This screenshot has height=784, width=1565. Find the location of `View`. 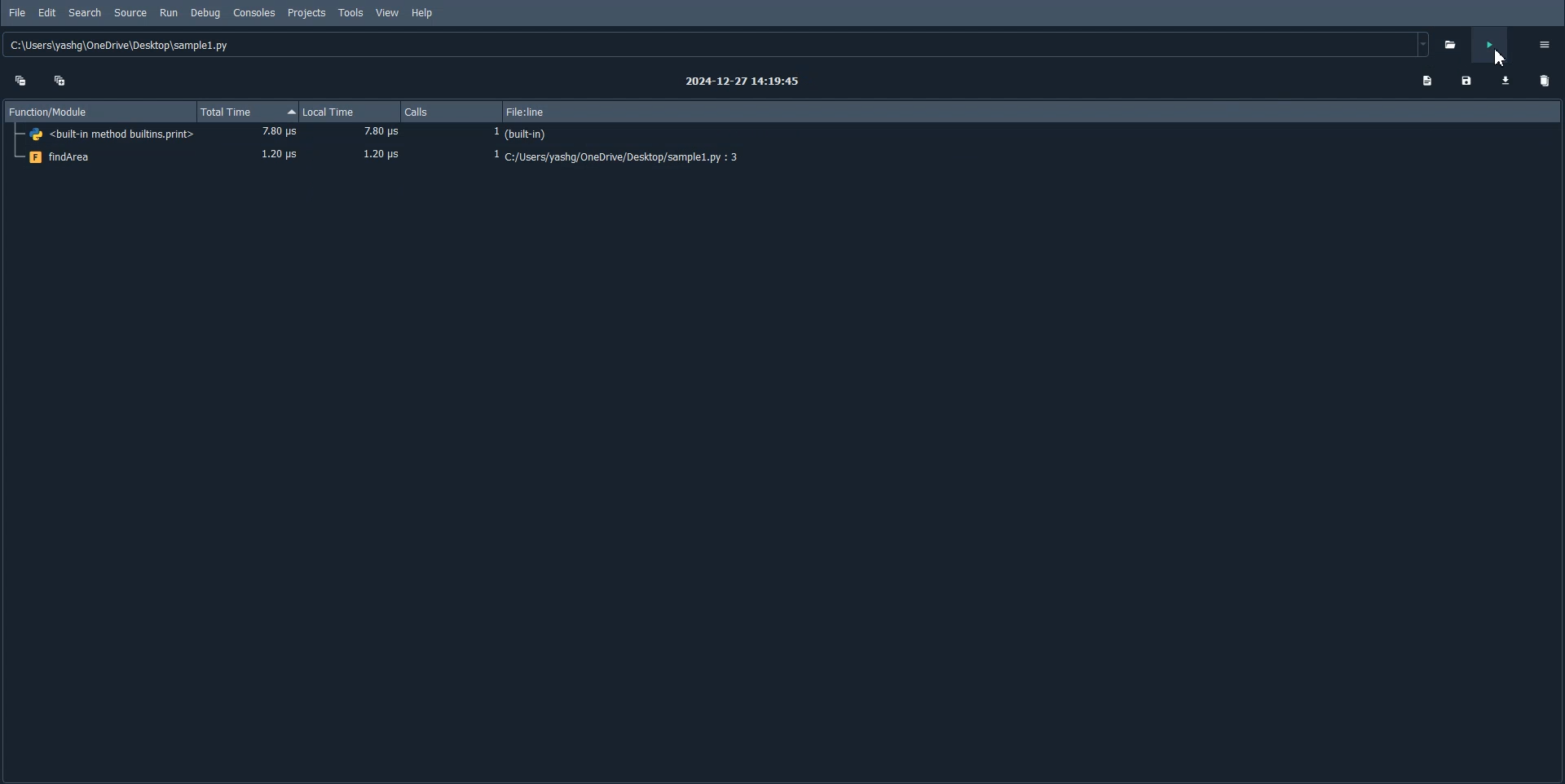

View is located at coordinates (388, 13).